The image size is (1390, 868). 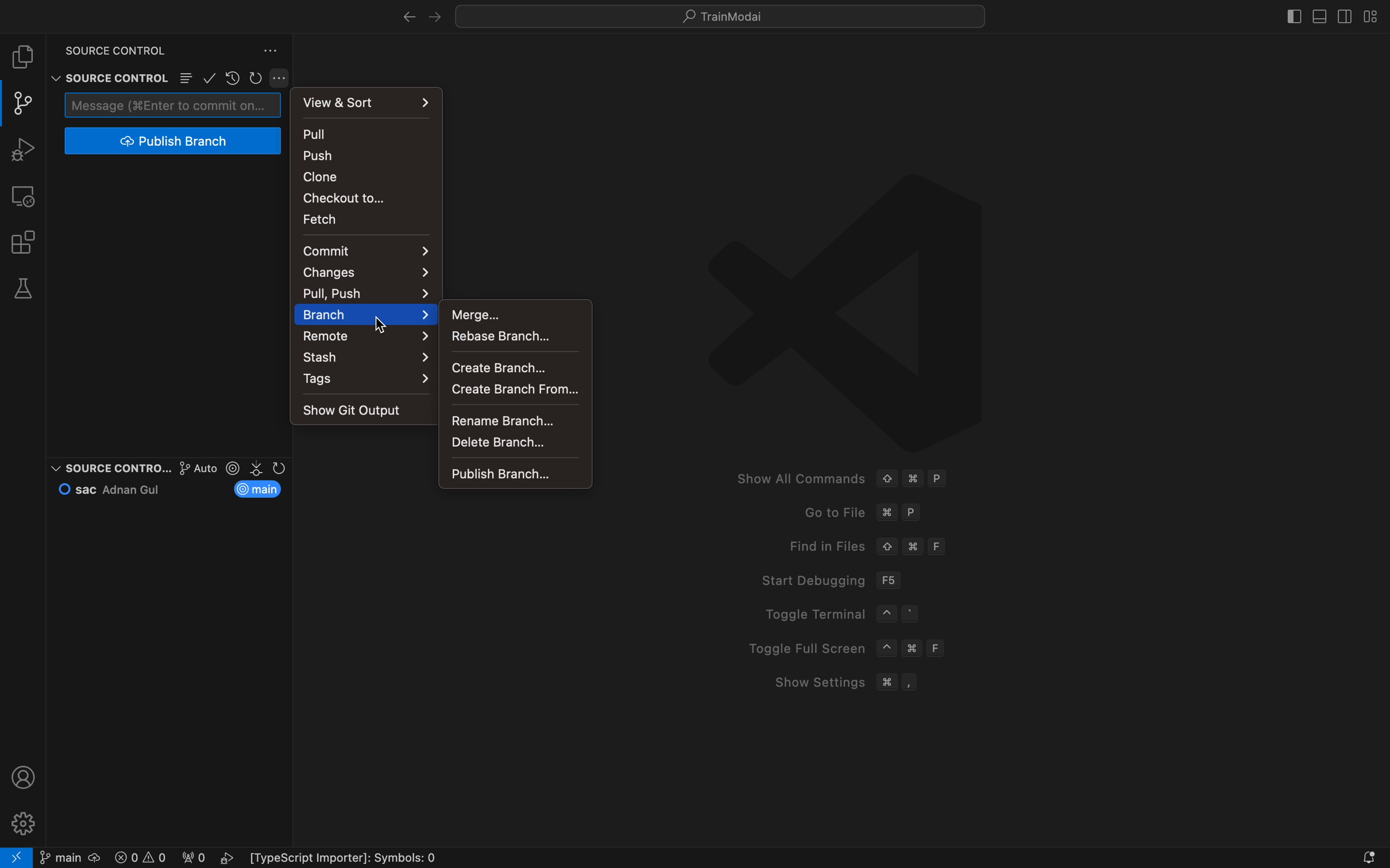 I want to click on tags, so click(x=369, y=382).